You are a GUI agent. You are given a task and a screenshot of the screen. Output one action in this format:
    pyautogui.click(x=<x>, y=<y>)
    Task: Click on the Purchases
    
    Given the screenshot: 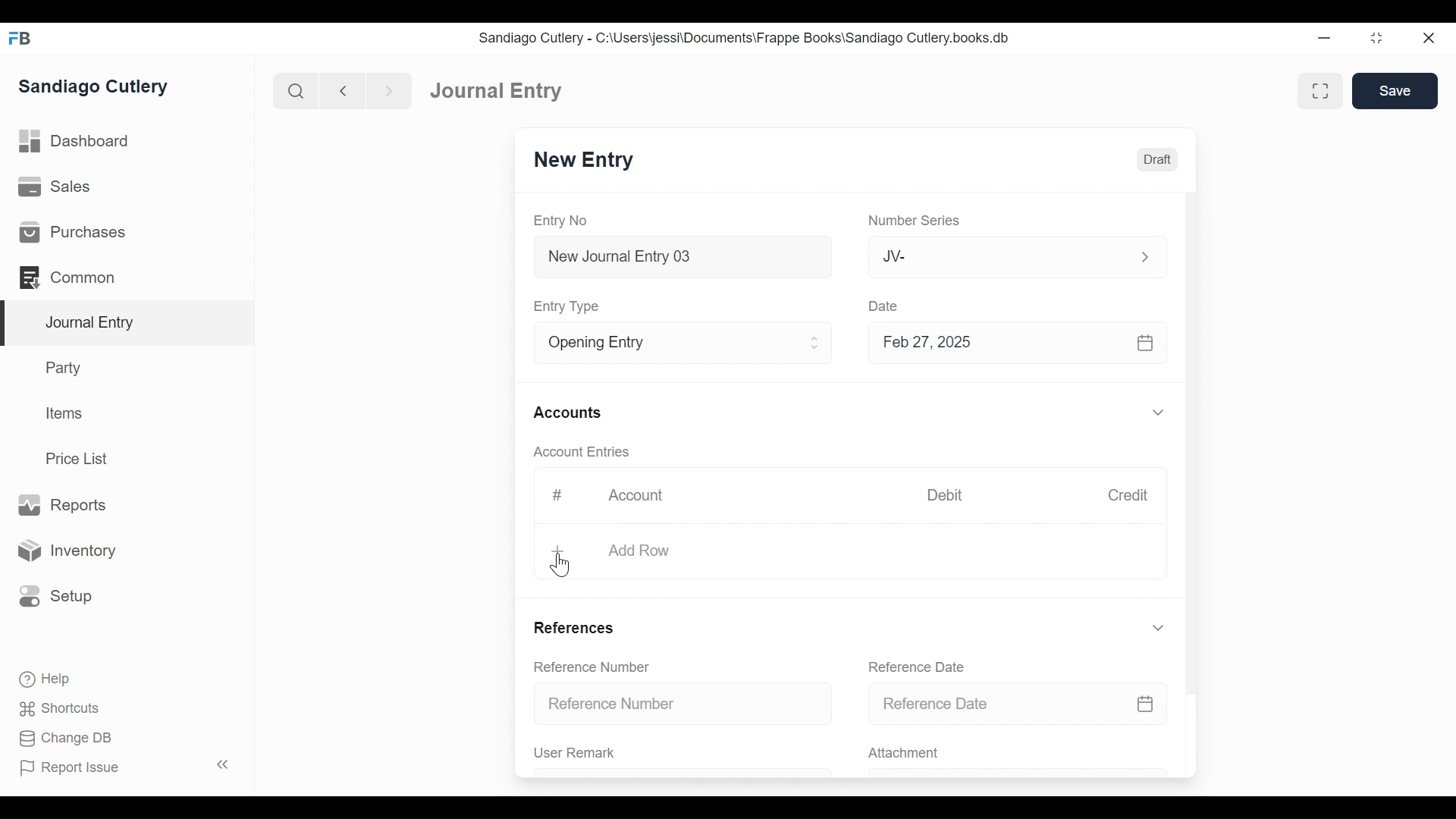 What is the action you would take?
    pyautogui.click(x=75, y=232)
    